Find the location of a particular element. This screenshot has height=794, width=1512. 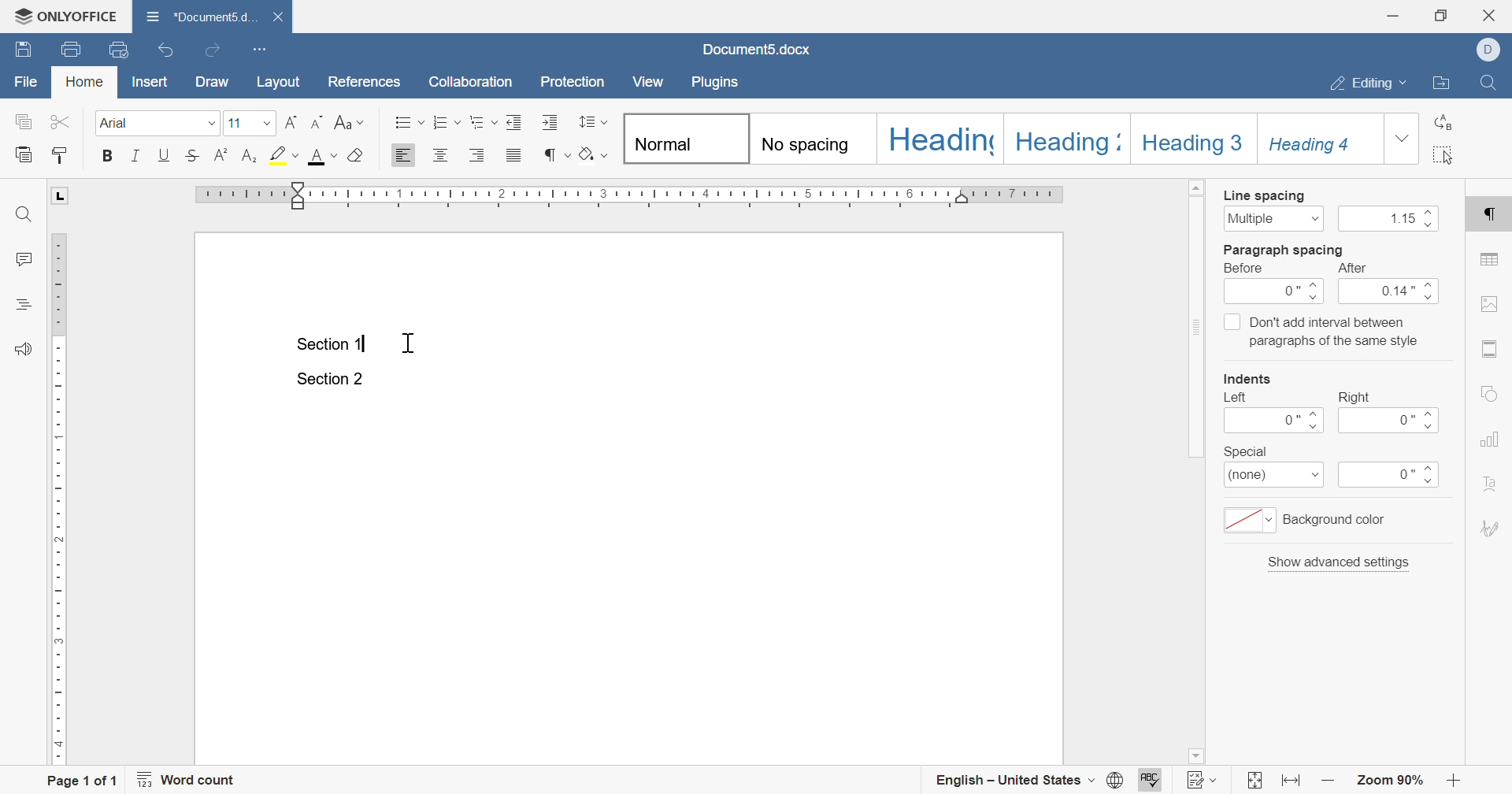

subscript is located at coordinates (250, 155).